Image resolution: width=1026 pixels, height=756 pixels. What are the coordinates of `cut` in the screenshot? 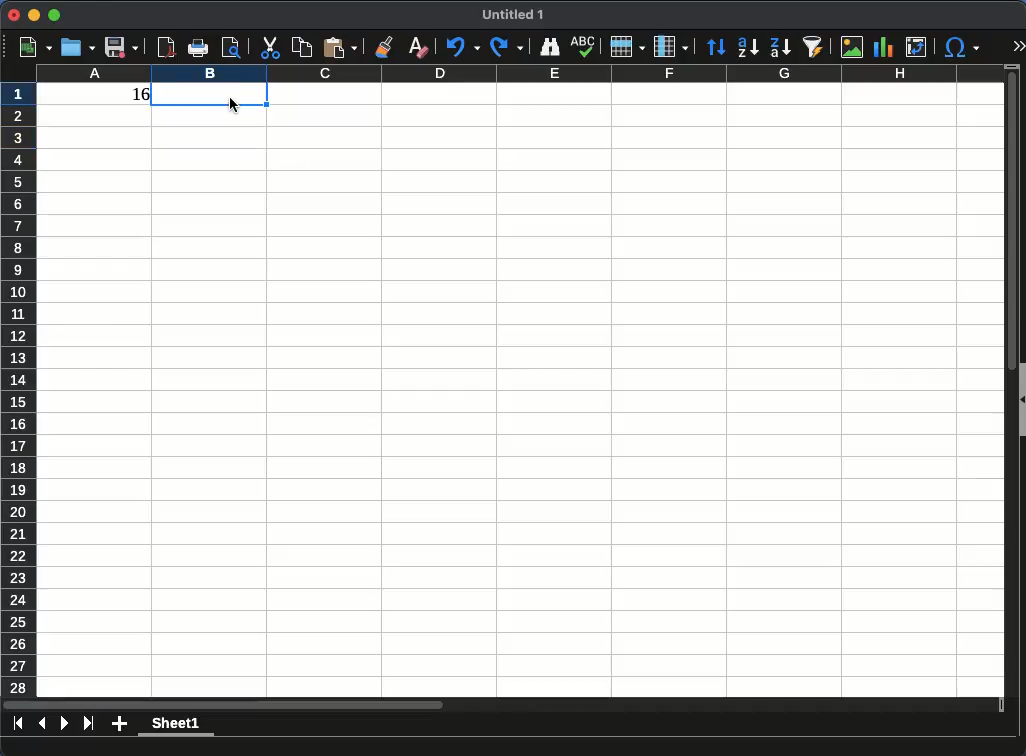 It's located at (269, 48).